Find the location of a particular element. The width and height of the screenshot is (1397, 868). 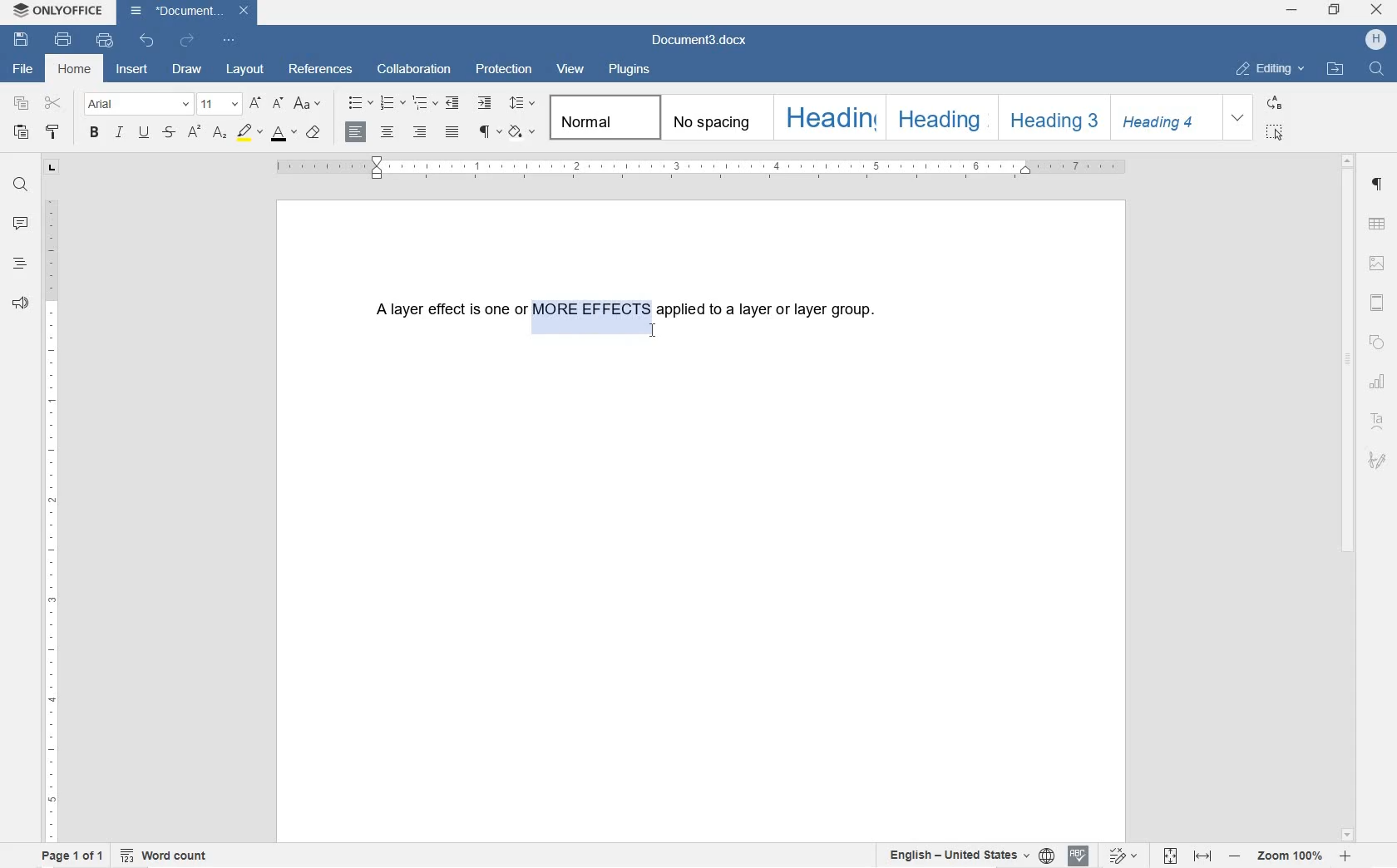

IMAGE is located at coordinates (1380, 264).